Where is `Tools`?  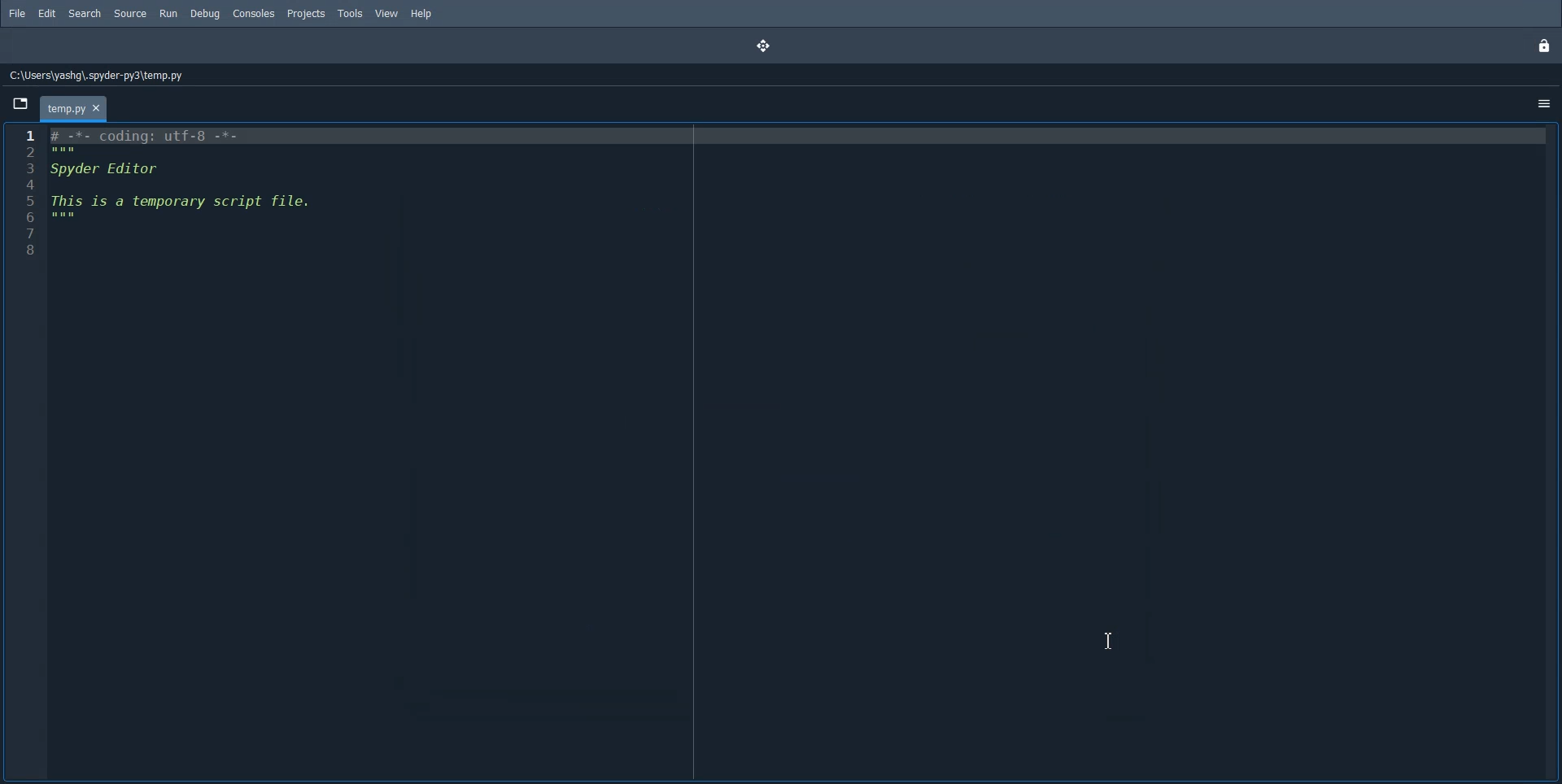
Tools is located at coordinates (350, 14).